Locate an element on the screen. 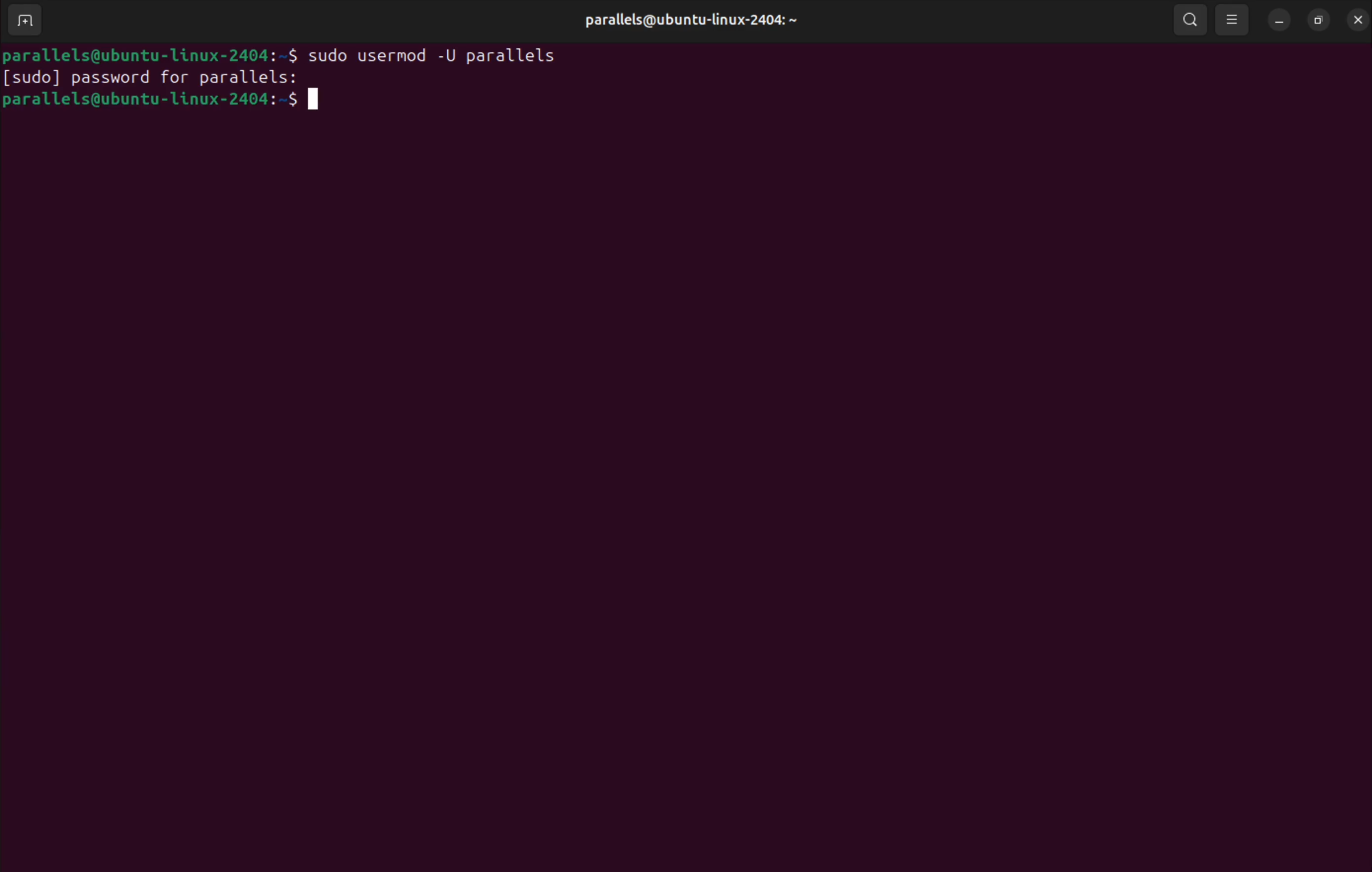 This screenshot has height=872, width=1372. resize is located at coordinates (1317, 18).